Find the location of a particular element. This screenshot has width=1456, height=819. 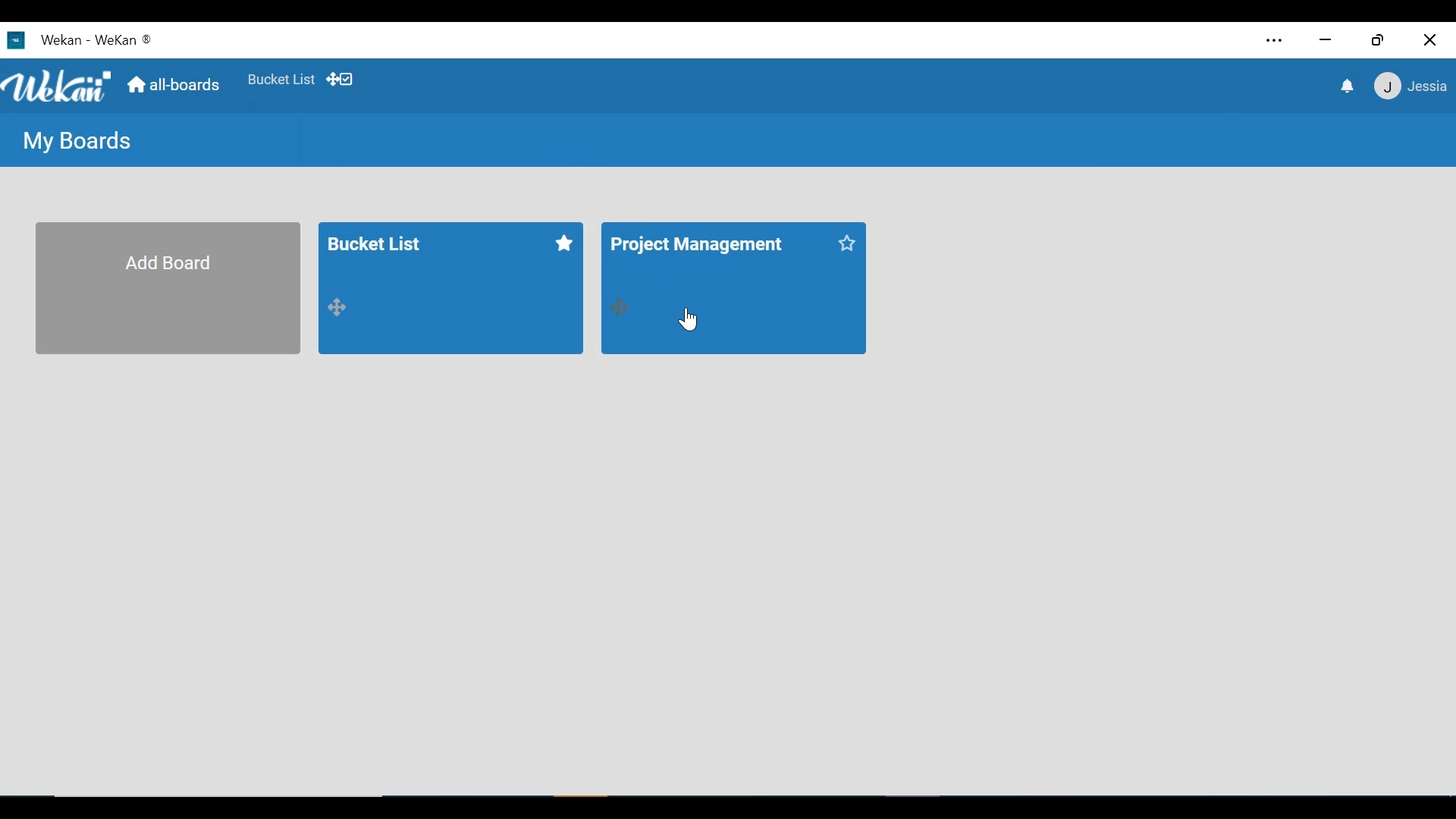

My Boards is located at coordinates (71, 140).